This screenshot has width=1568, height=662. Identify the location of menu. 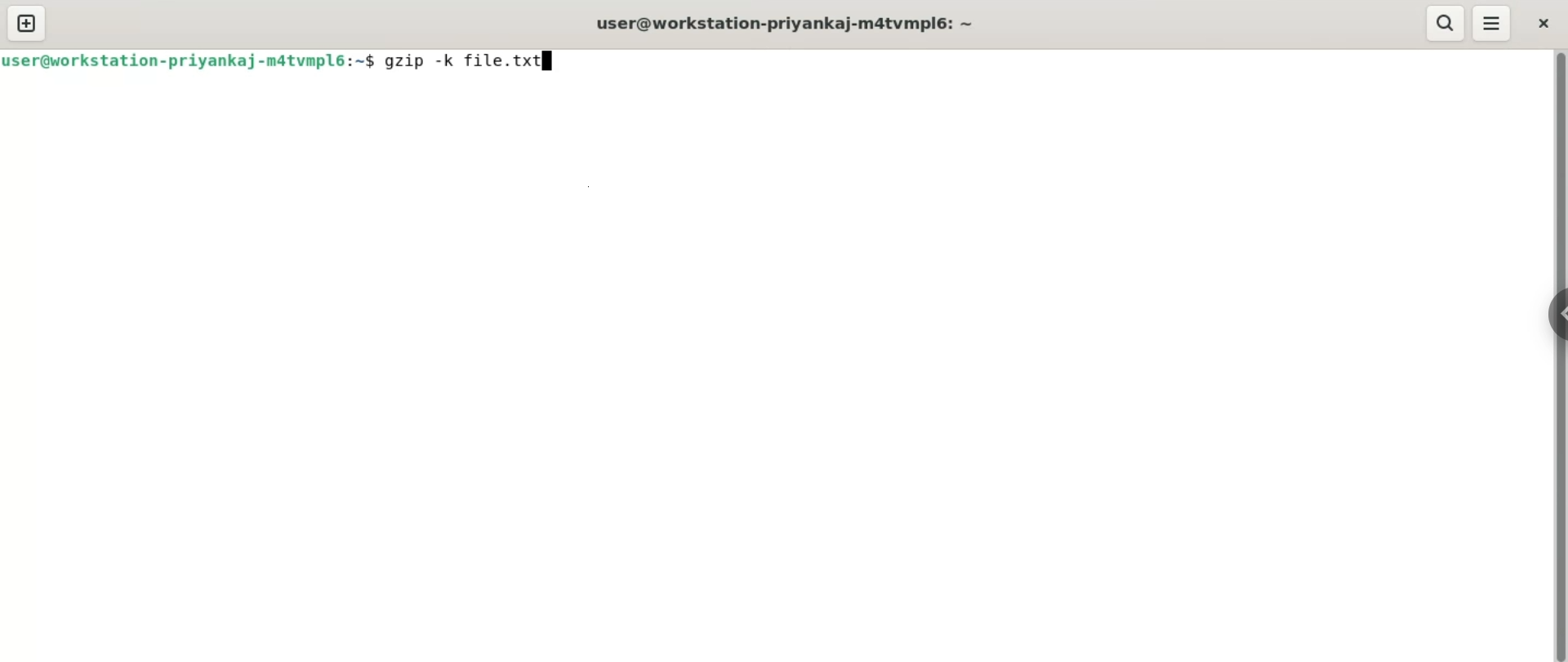
(1494, 23).